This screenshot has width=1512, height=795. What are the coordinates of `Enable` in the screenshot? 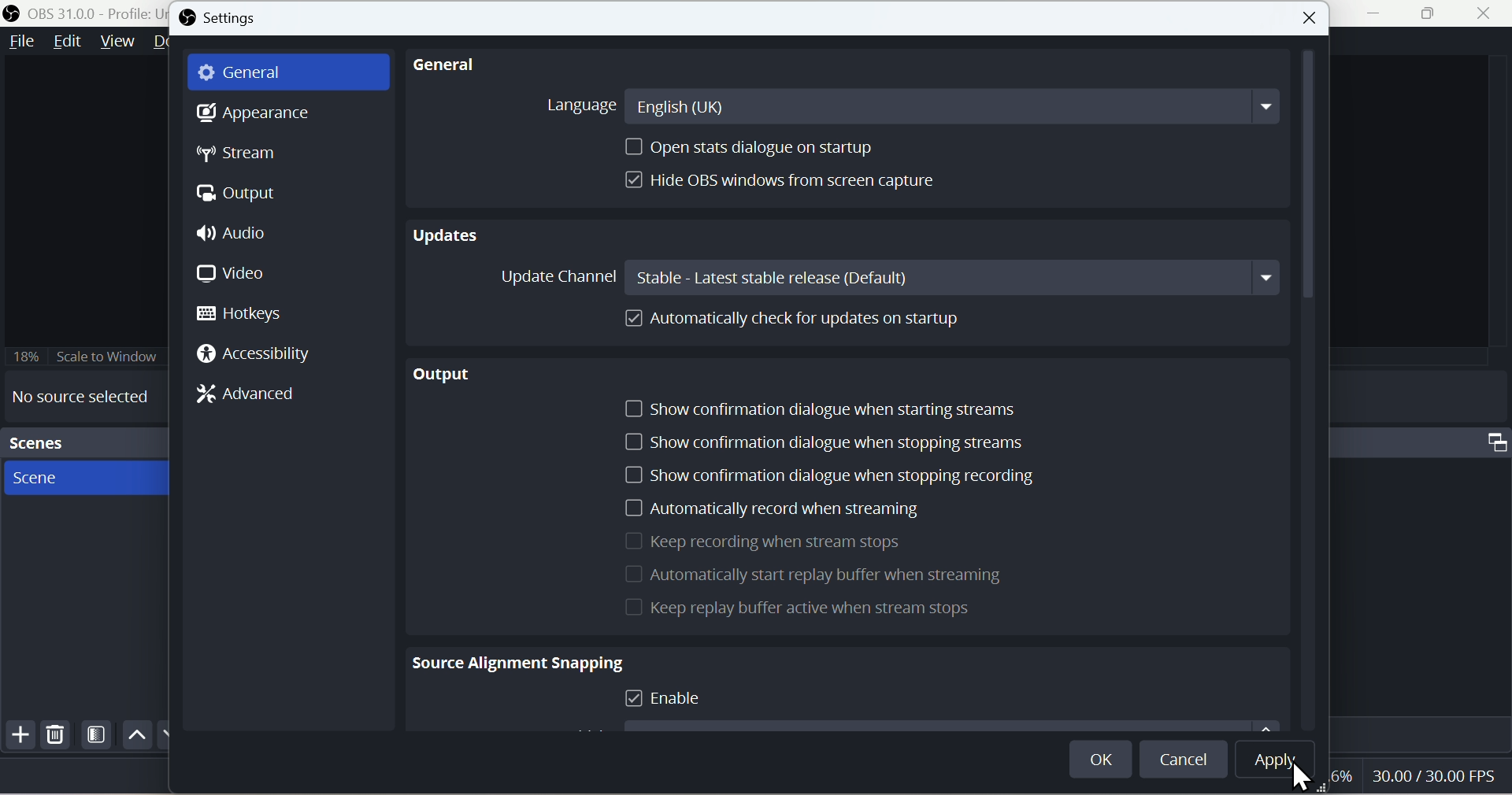 It's located at (669, 700).